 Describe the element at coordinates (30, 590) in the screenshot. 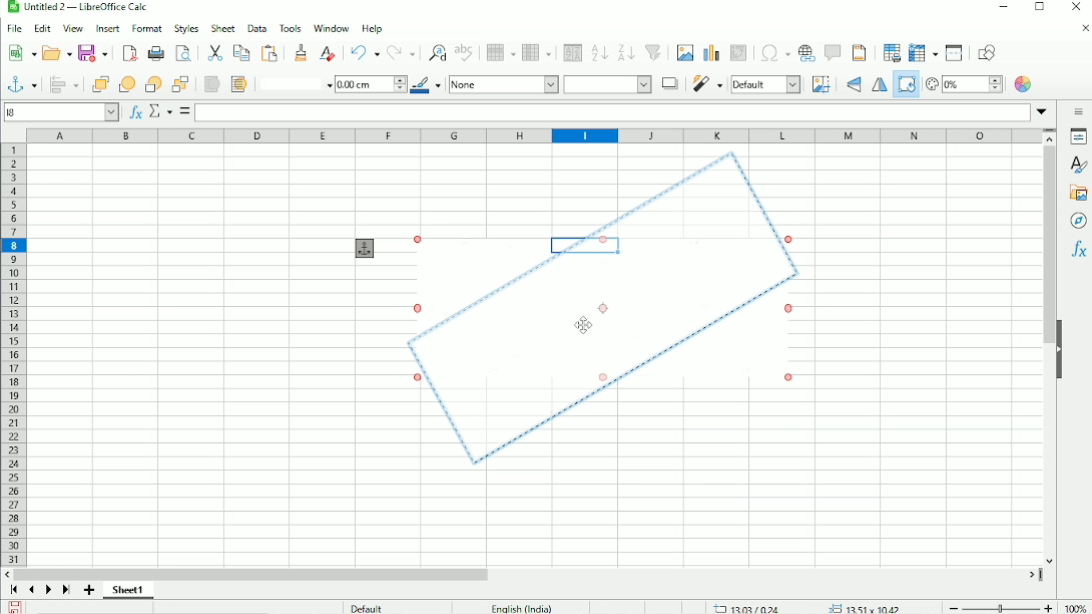

I see `Scroll to previous sheet` at that location.